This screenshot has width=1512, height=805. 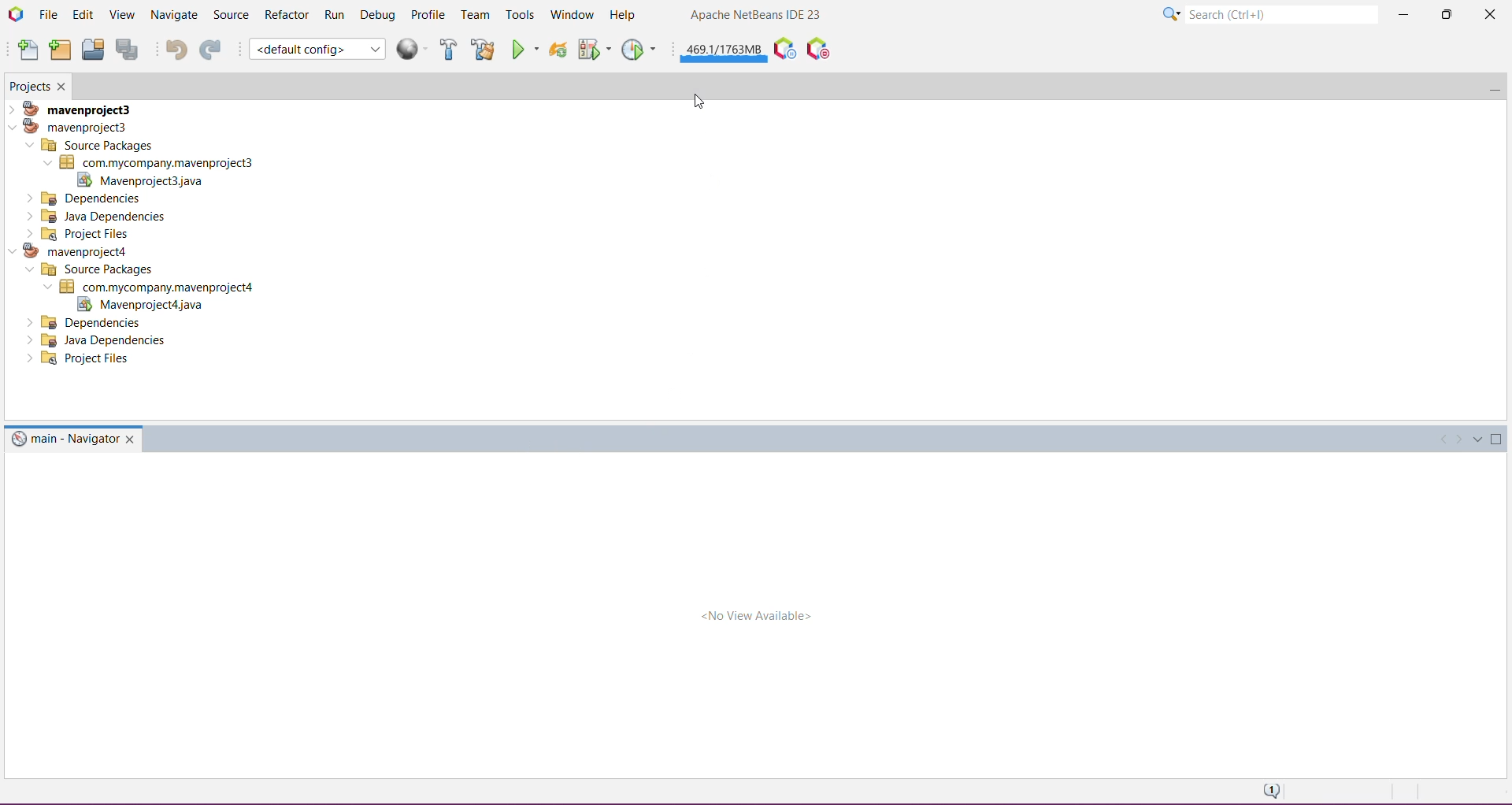 What do you see at coordinates (59, 50) in the screenshot?
I see `New Project` at bounding box center [59, 50].